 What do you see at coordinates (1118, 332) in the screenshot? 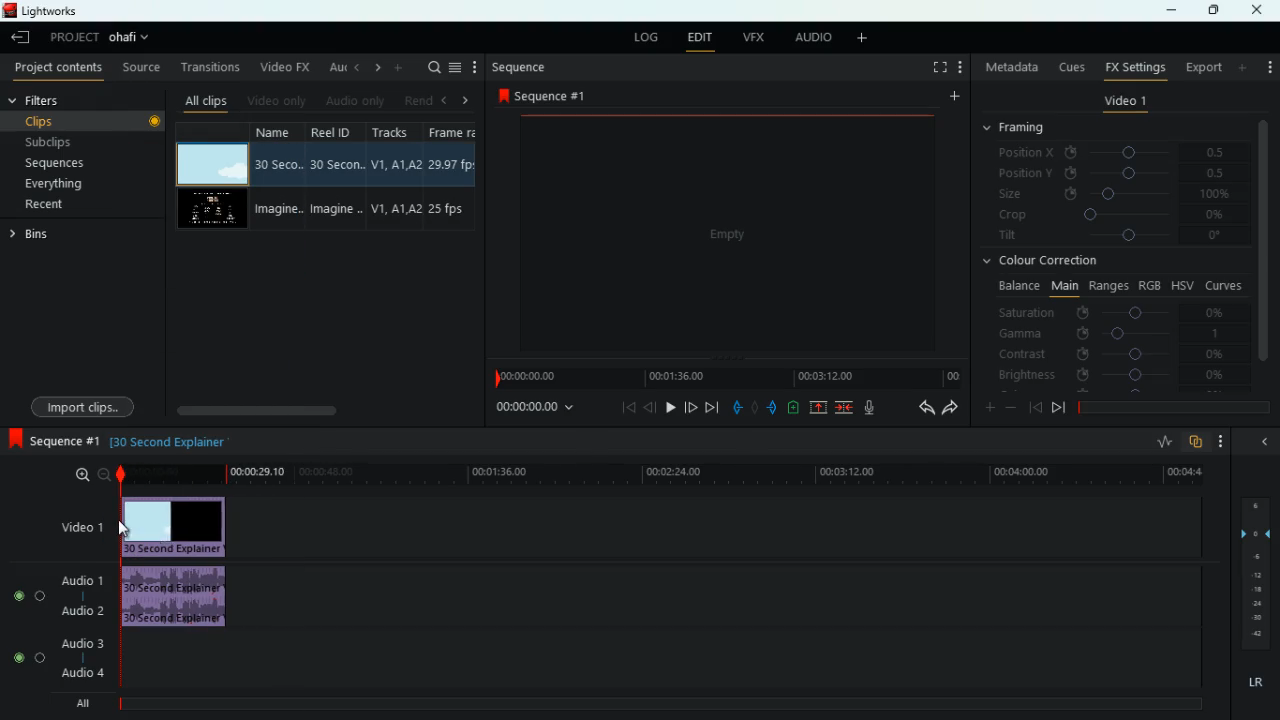
I see `gamma` at bounding box center [1118, 332].